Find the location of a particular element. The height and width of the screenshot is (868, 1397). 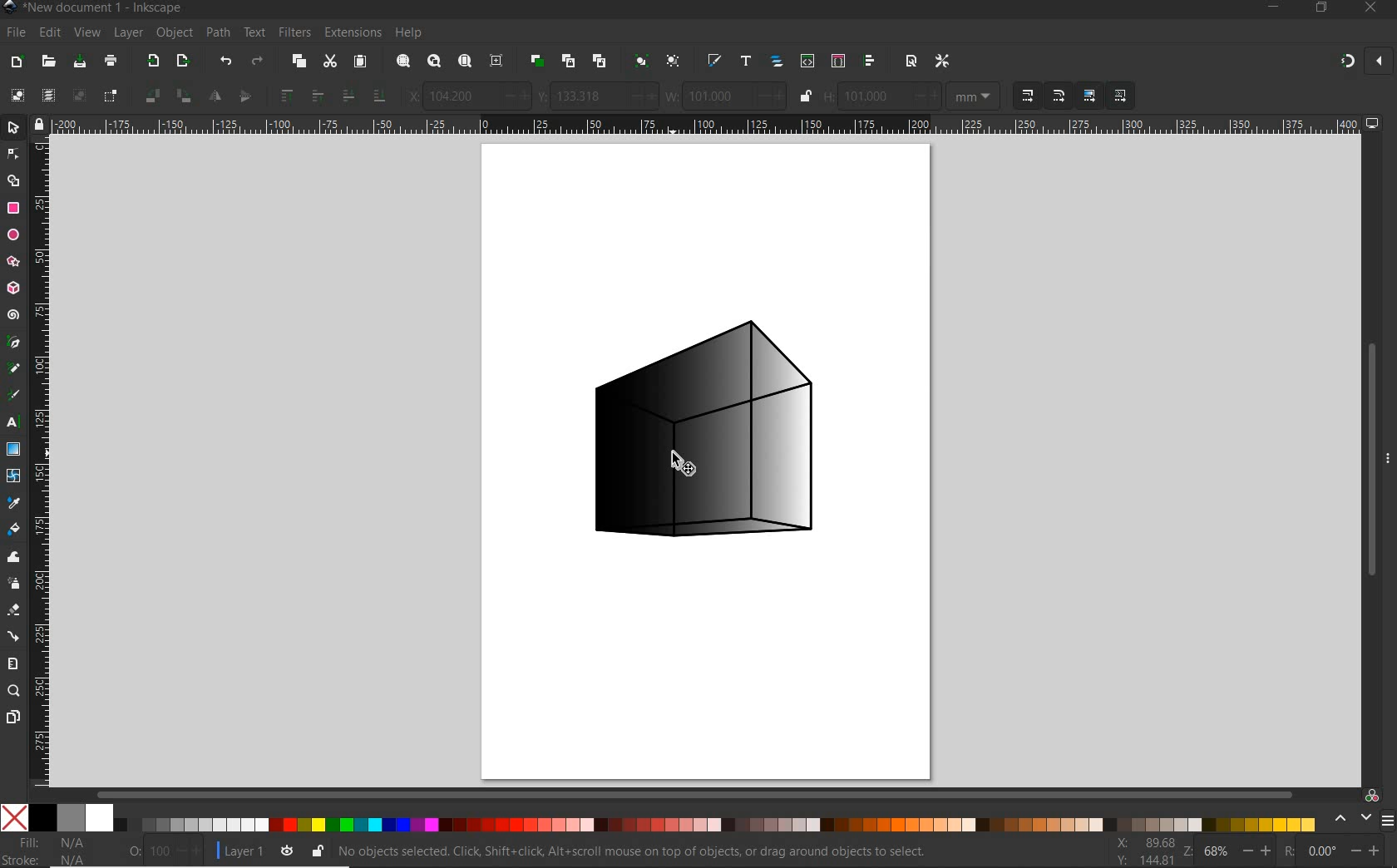

HIDE is located at coordinates (1389, 456).